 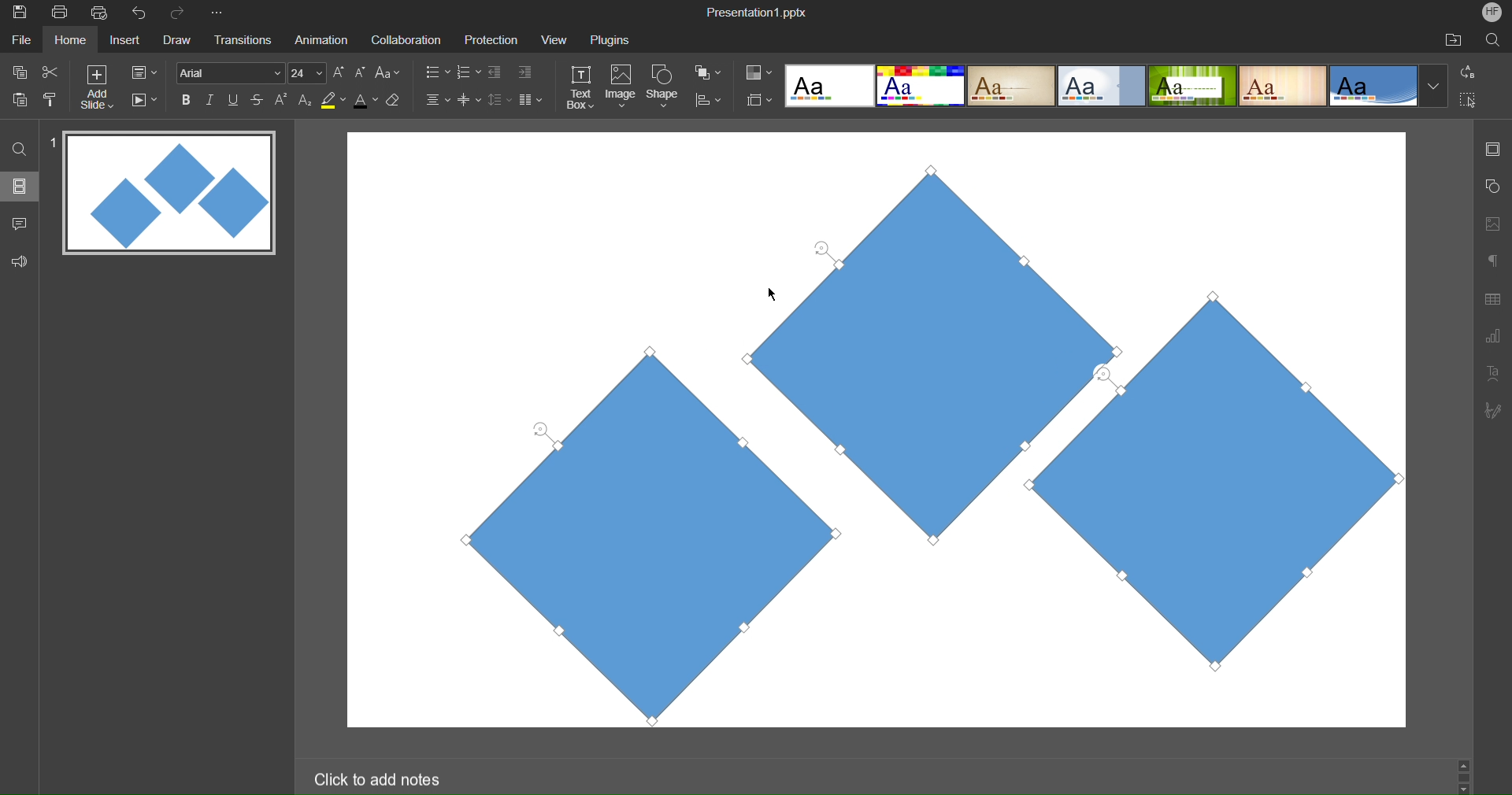 What do you see at coordinates (470, 99) in the screenshot?
I see `Vertical Align` at bounding box center [470, 99].